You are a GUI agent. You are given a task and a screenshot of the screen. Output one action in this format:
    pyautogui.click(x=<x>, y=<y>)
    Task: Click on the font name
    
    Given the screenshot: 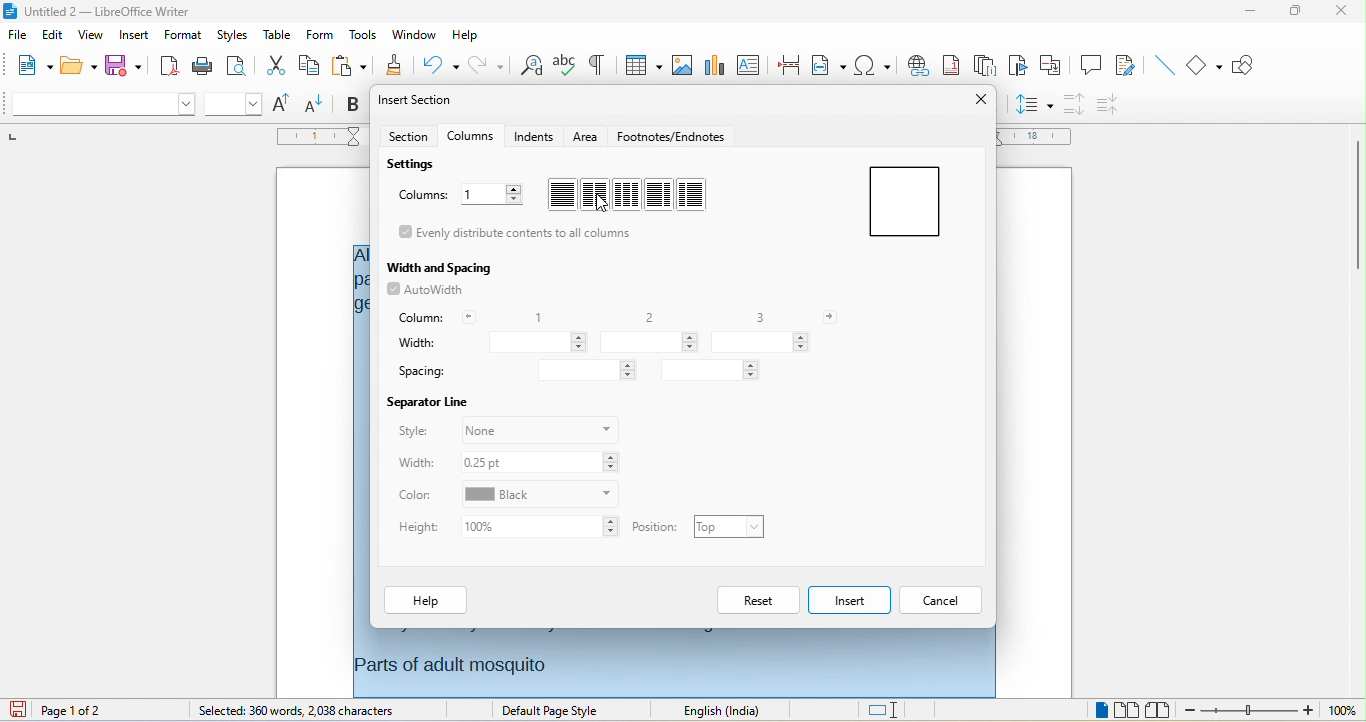 What is the action you would take?
    pyautogui.click(x=99, y=105)
    